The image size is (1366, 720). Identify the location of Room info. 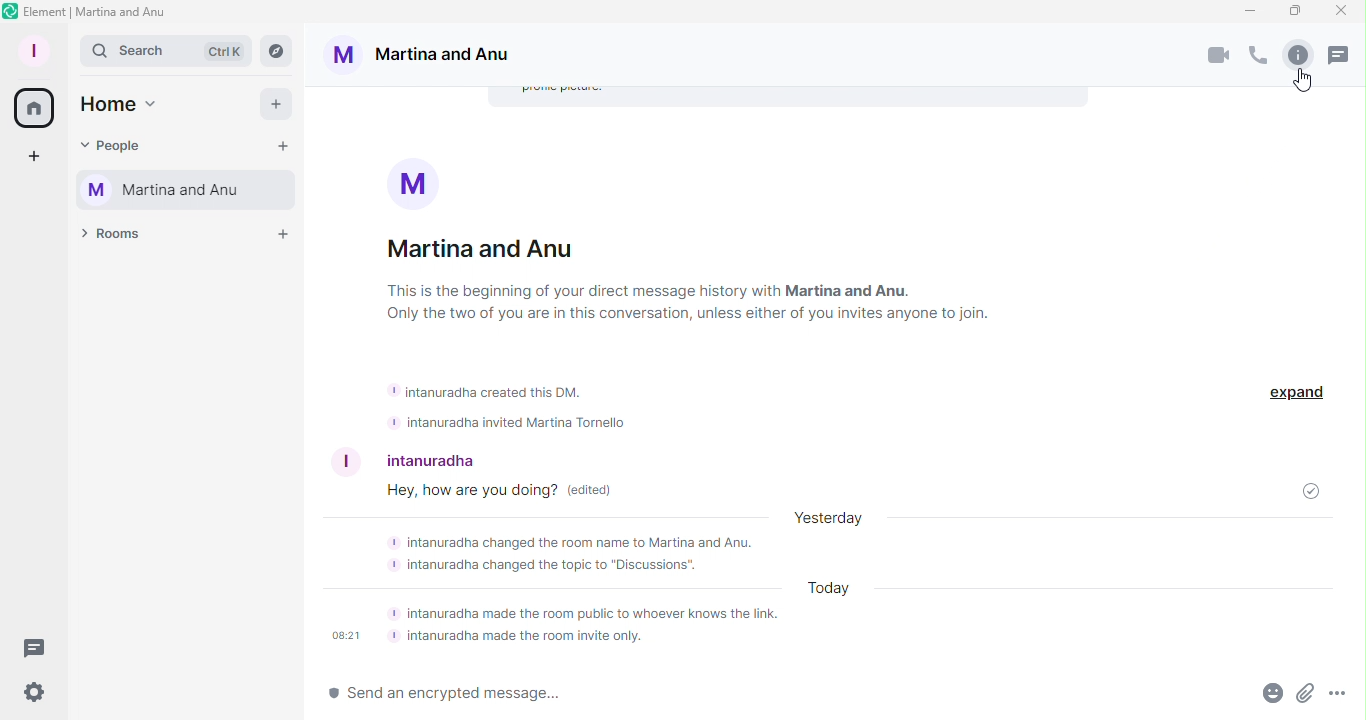
(1297, 55).